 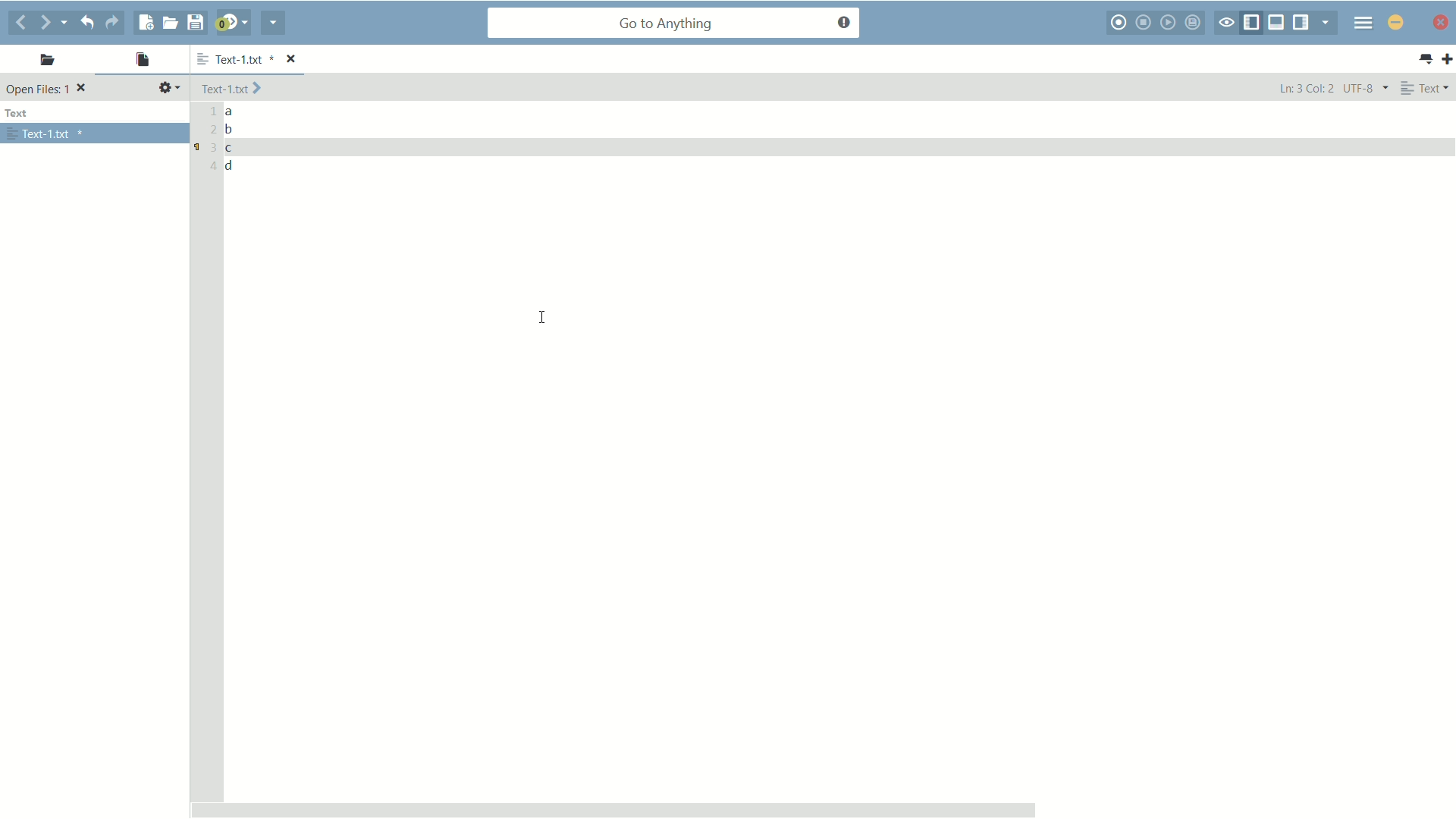 What do you see at coordinates (256, 58) in the screenshot?
I see `Text-1.txt *` at bounding box center [256, 58].